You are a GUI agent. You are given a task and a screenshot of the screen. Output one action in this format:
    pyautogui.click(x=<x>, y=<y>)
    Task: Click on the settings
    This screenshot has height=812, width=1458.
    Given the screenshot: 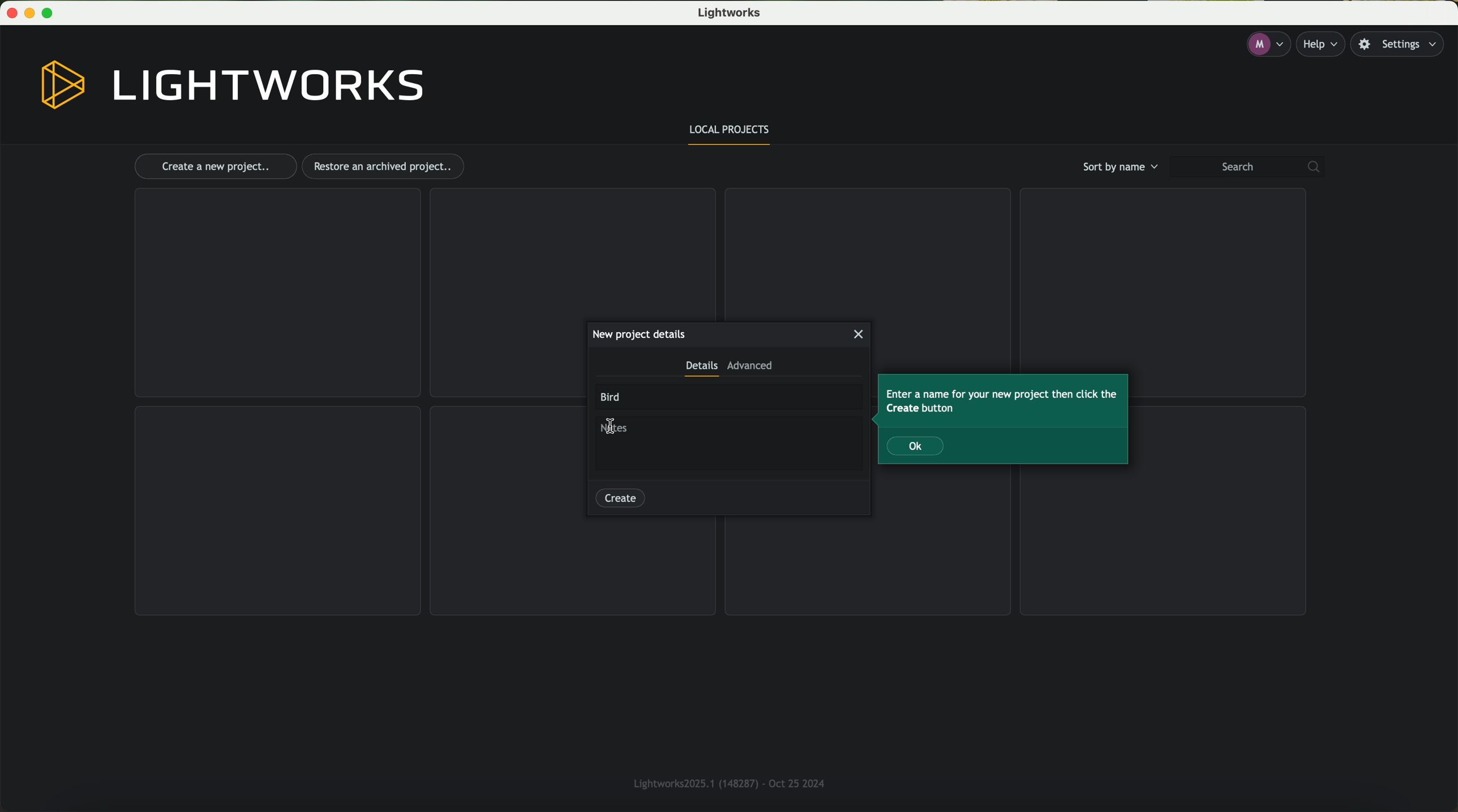 What is the action you would take?
    pyautogui.click(x=1403, y=45)
    